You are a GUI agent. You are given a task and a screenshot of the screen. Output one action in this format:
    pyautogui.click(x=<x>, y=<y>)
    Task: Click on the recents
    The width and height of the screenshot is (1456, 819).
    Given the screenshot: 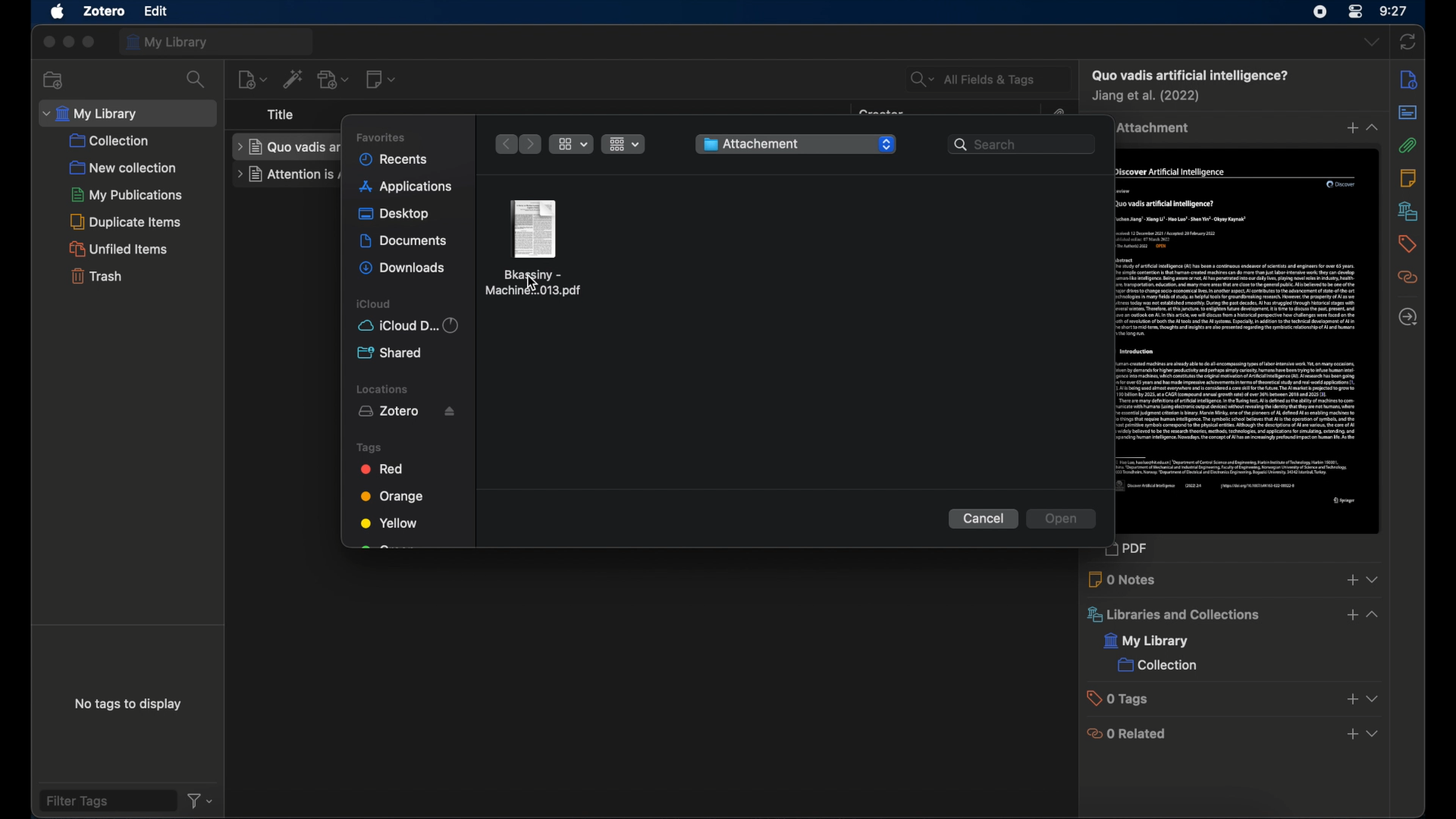 What is the action you would take?
    pyautogui.click(x=398, y=158)
    